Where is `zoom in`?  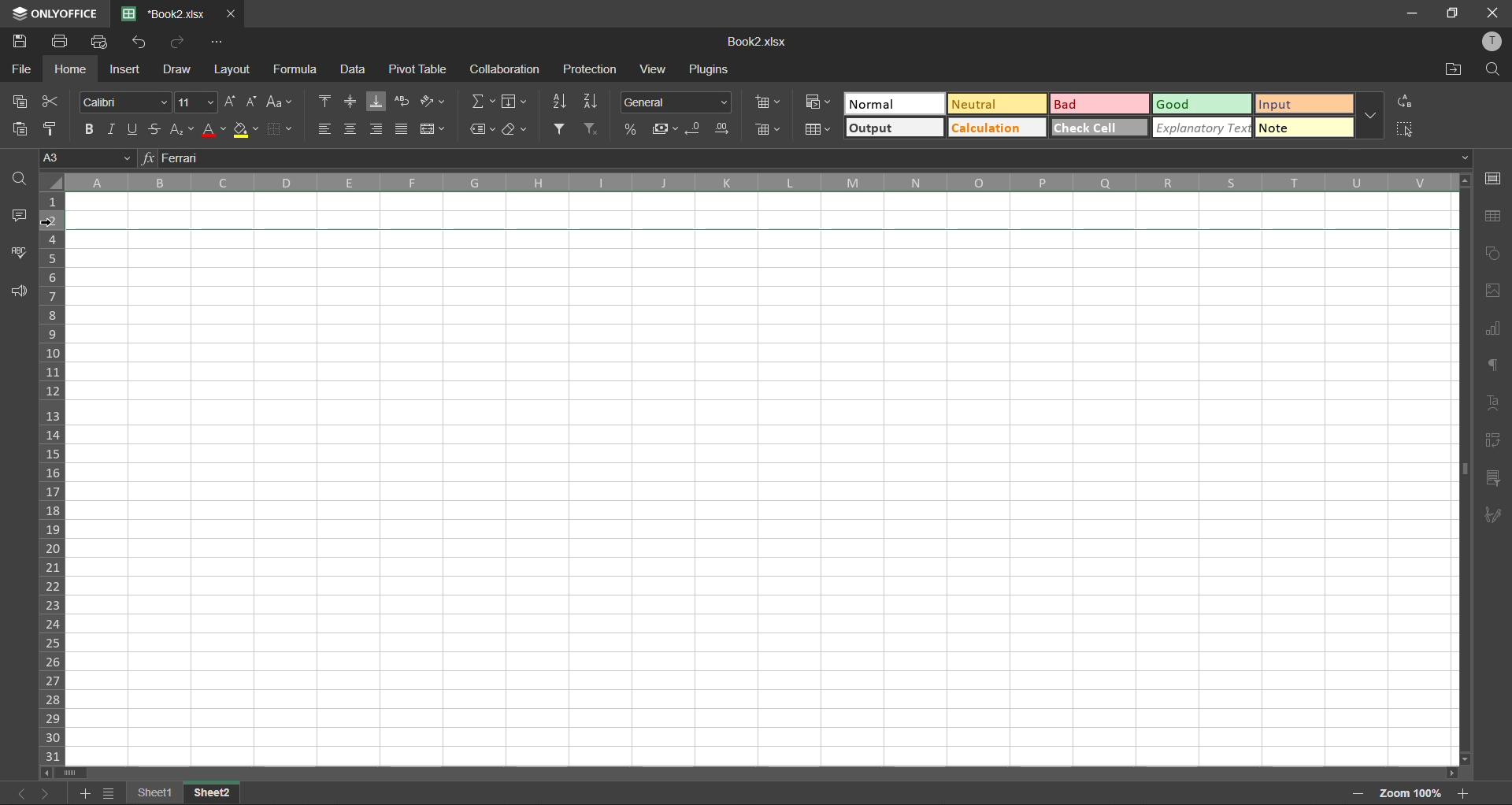 zoom in is located at coordinates (1462, 792).